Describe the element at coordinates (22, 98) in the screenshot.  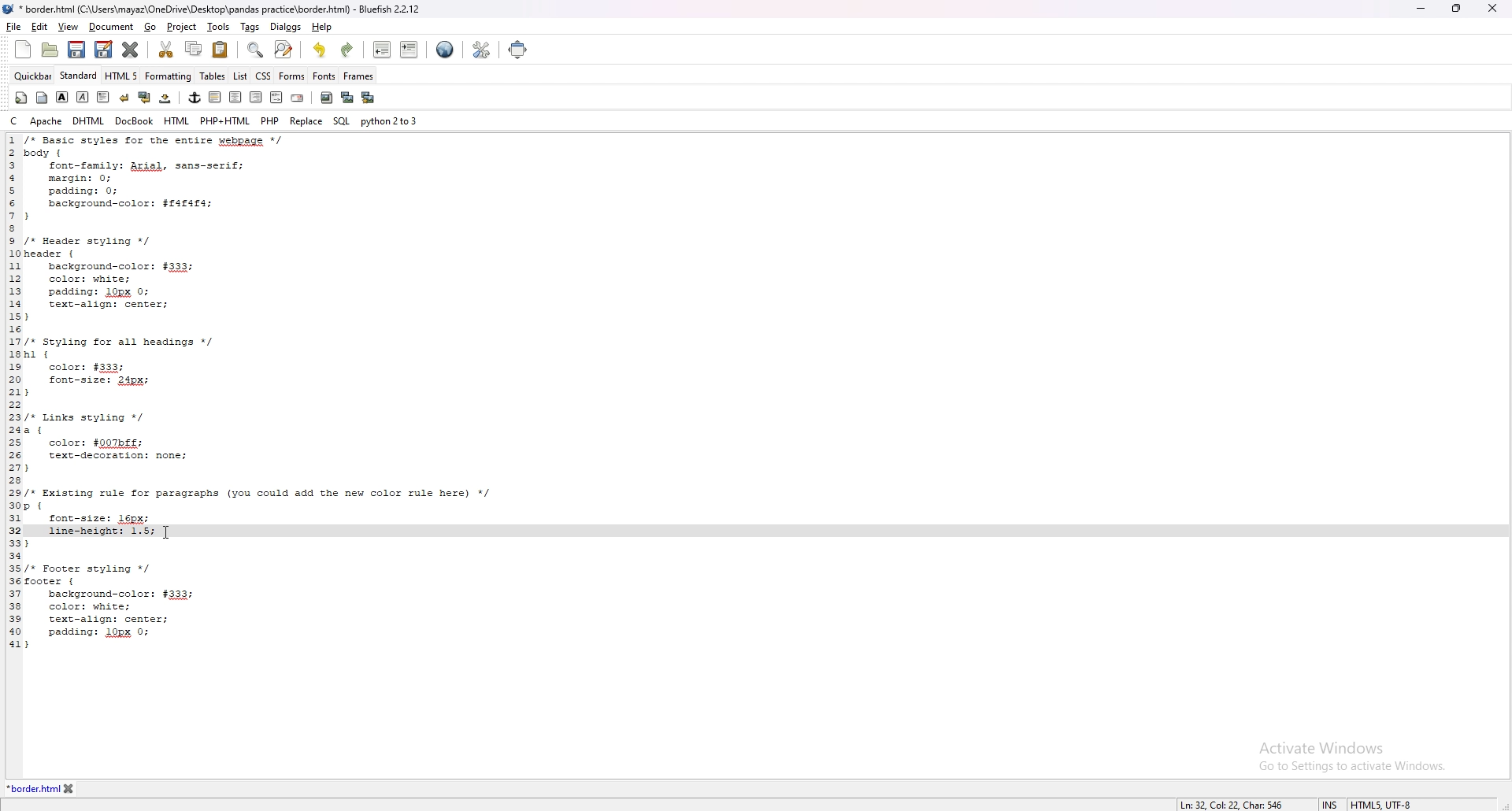
I see `quickstart` at that location.